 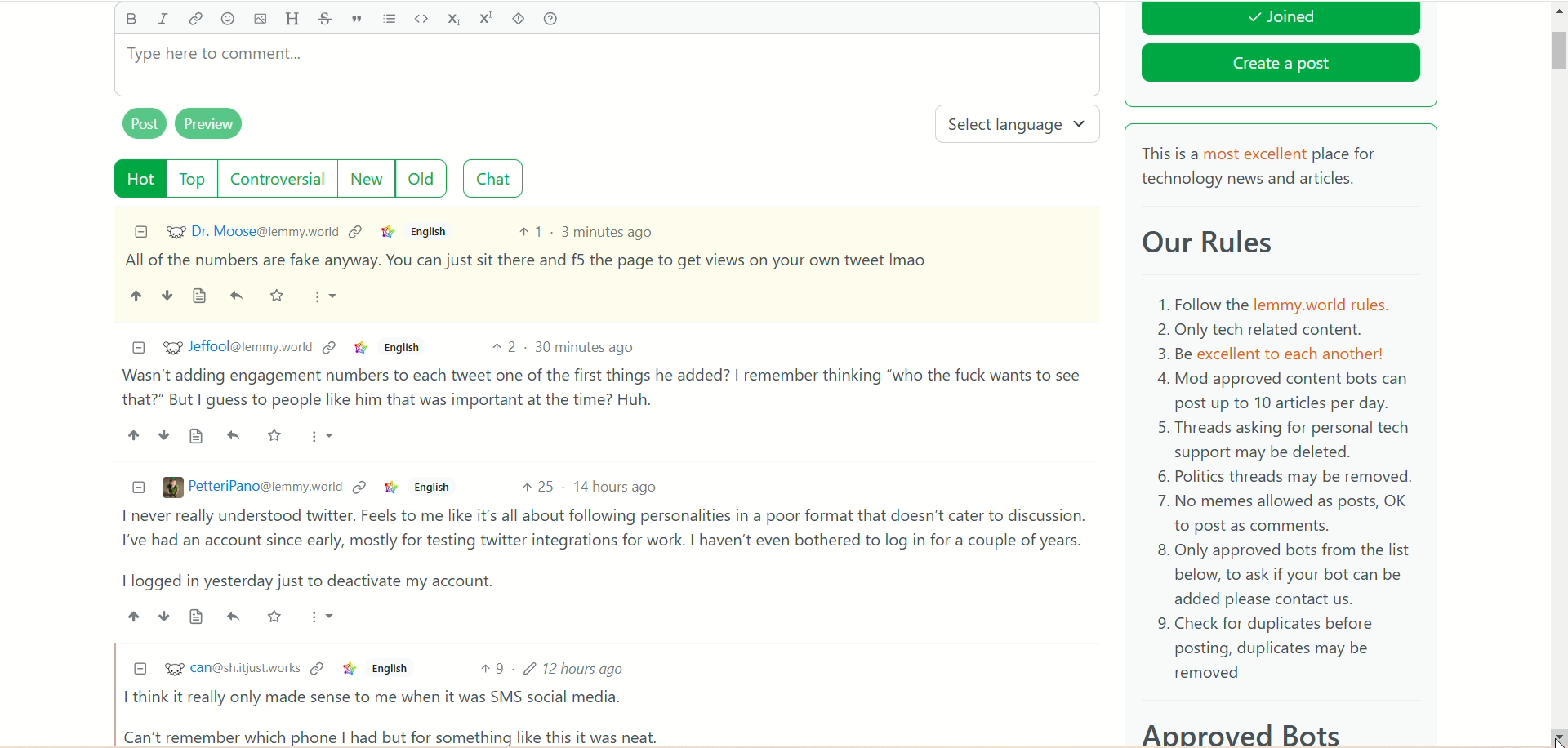 What do you see at coordinates (527, 260) in the screenshot?
I see `All of the numbers are fake anyway. You can just sit there and f5 the page to get views on your own tweet Imao` at bounding box center [527, 260].